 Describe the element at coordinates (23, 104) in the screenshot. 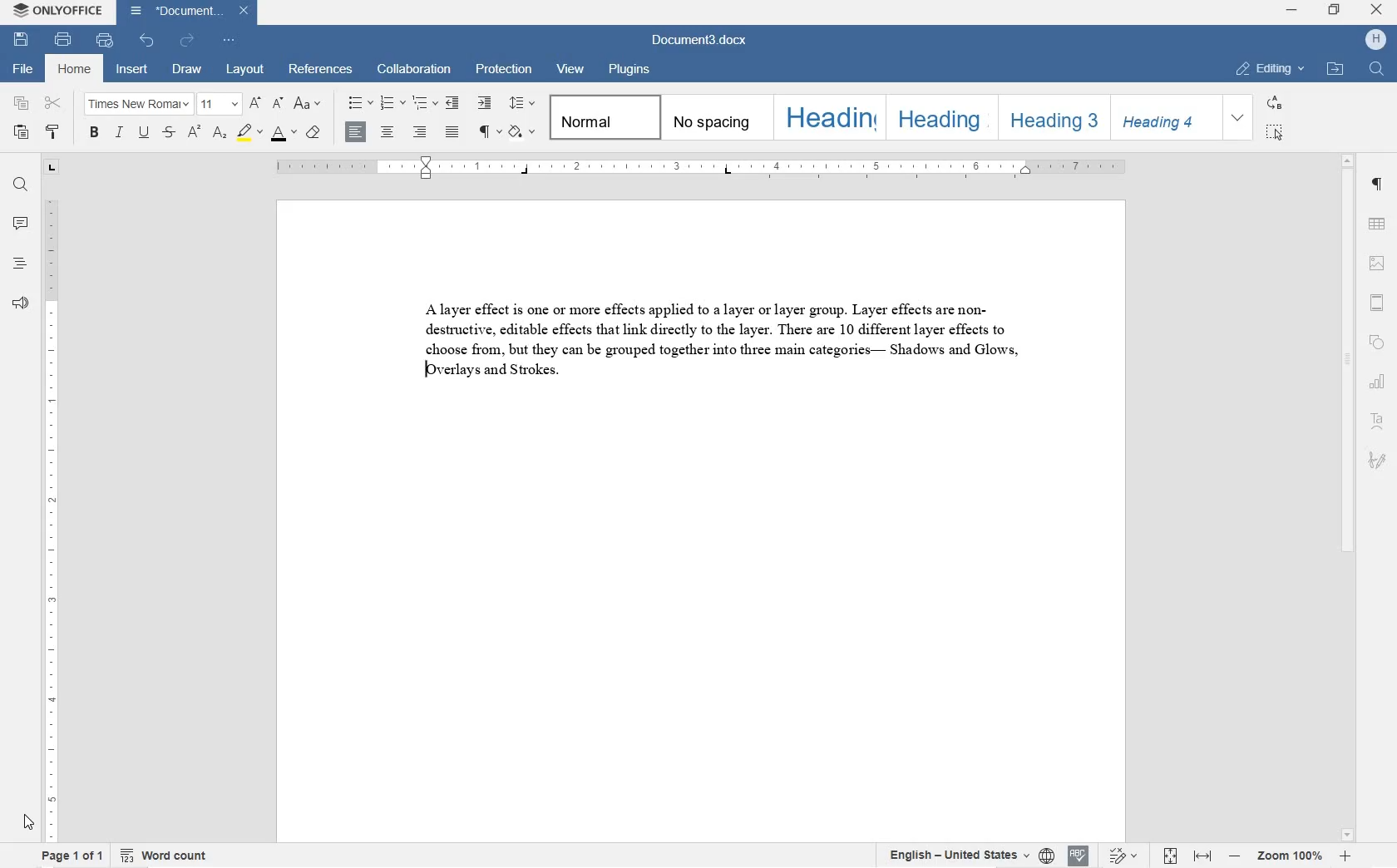

I see `copy` at that location.